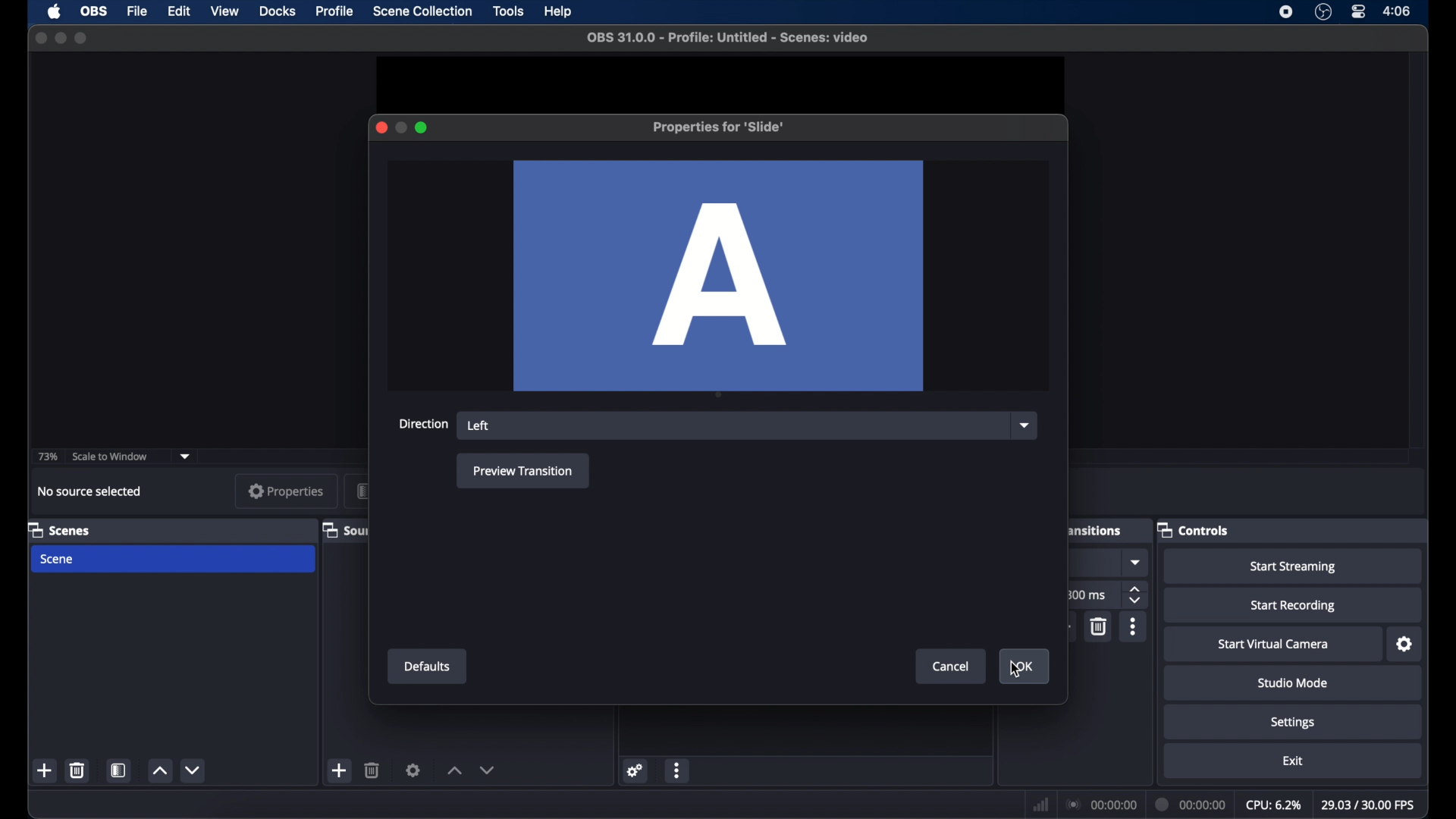 The width and height of the screenshot is (1456, 819). Describe the element at coordinates (636, 770) in the screenshot. I see `settings` at that location.